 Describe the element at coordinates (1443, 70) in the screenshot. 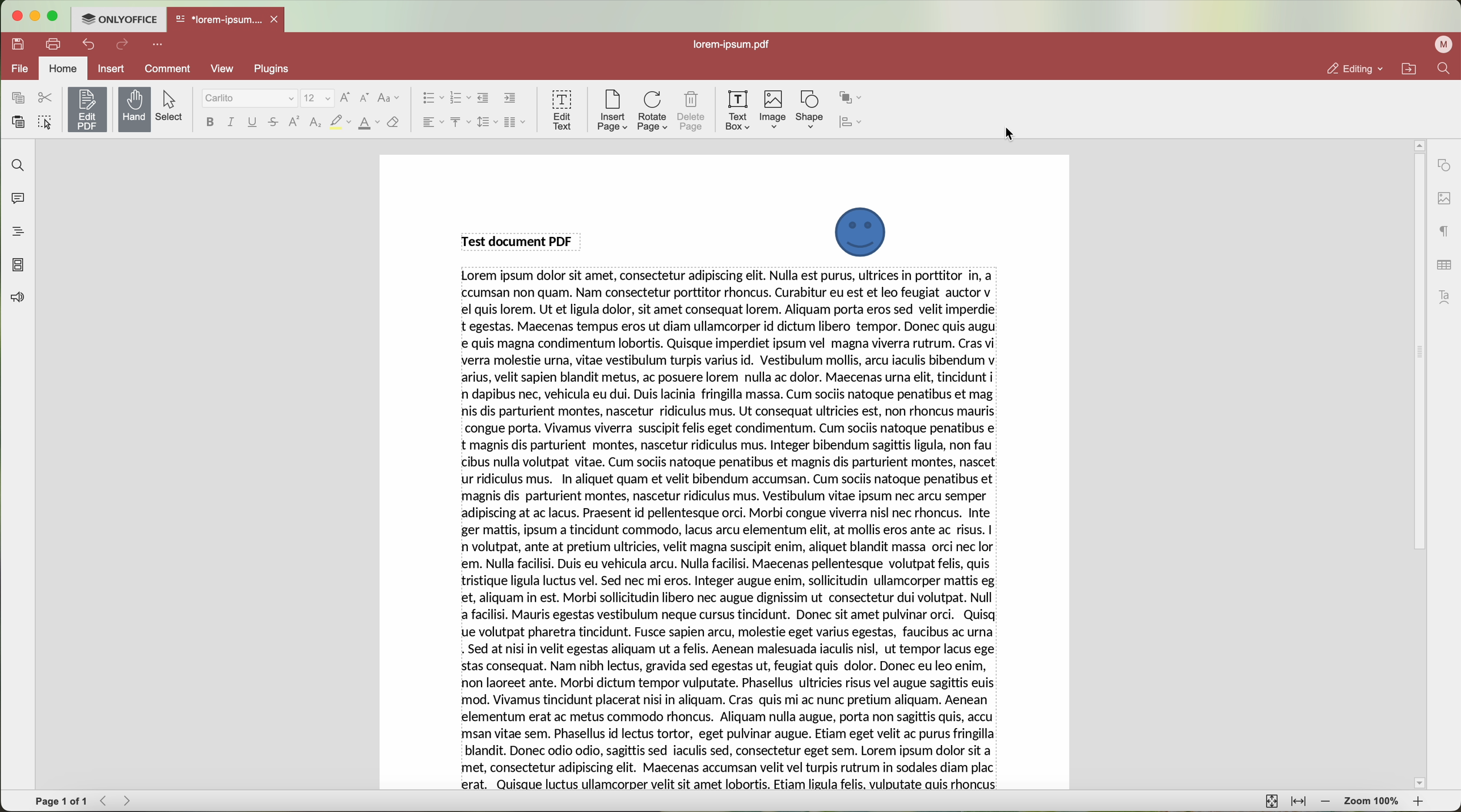

I see `find` at that location.